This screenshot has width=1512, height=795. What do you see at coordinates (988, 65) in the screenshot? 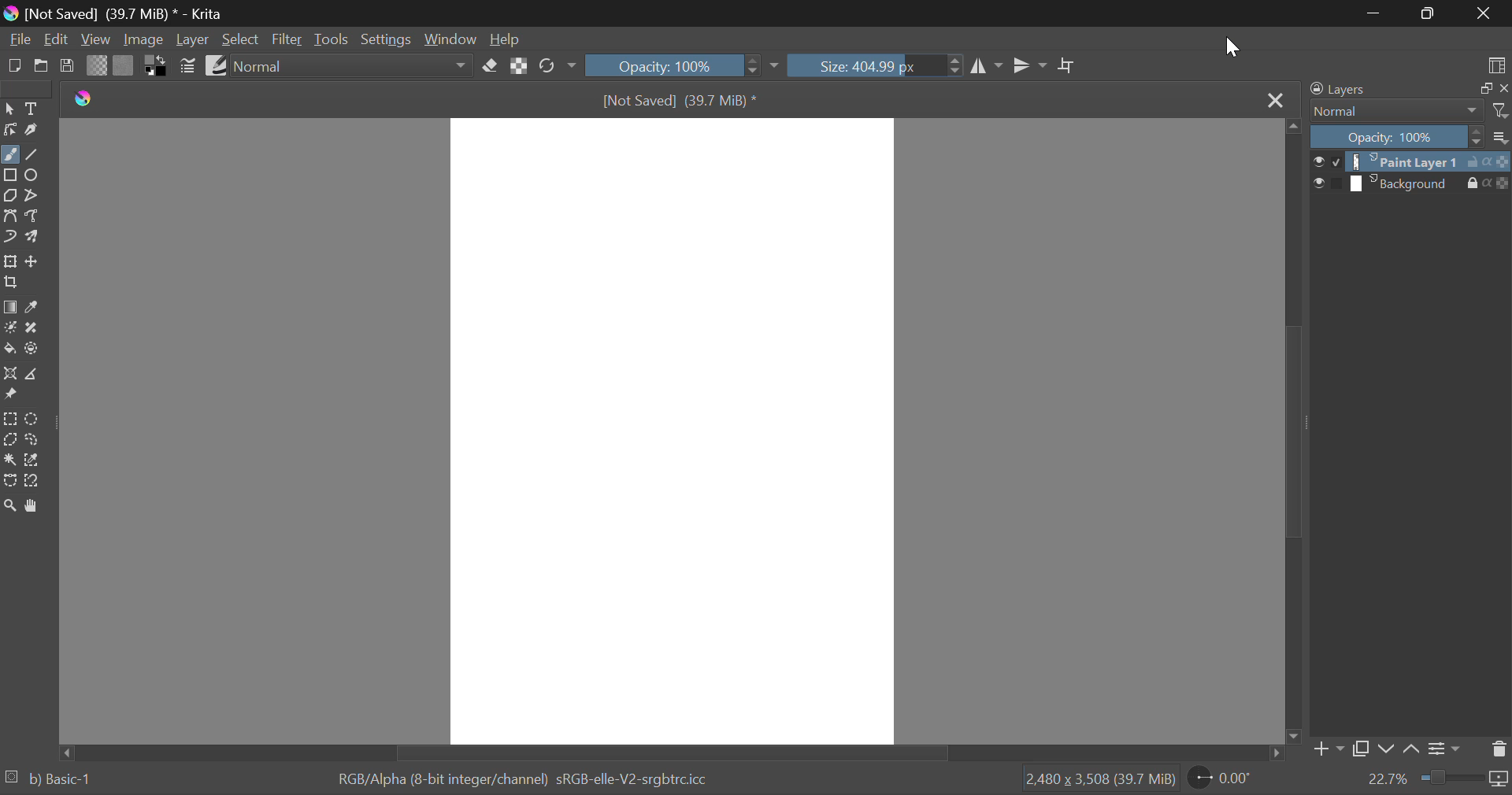
I see `Vertical Mirror Flip` at bounding box center [988, 65].